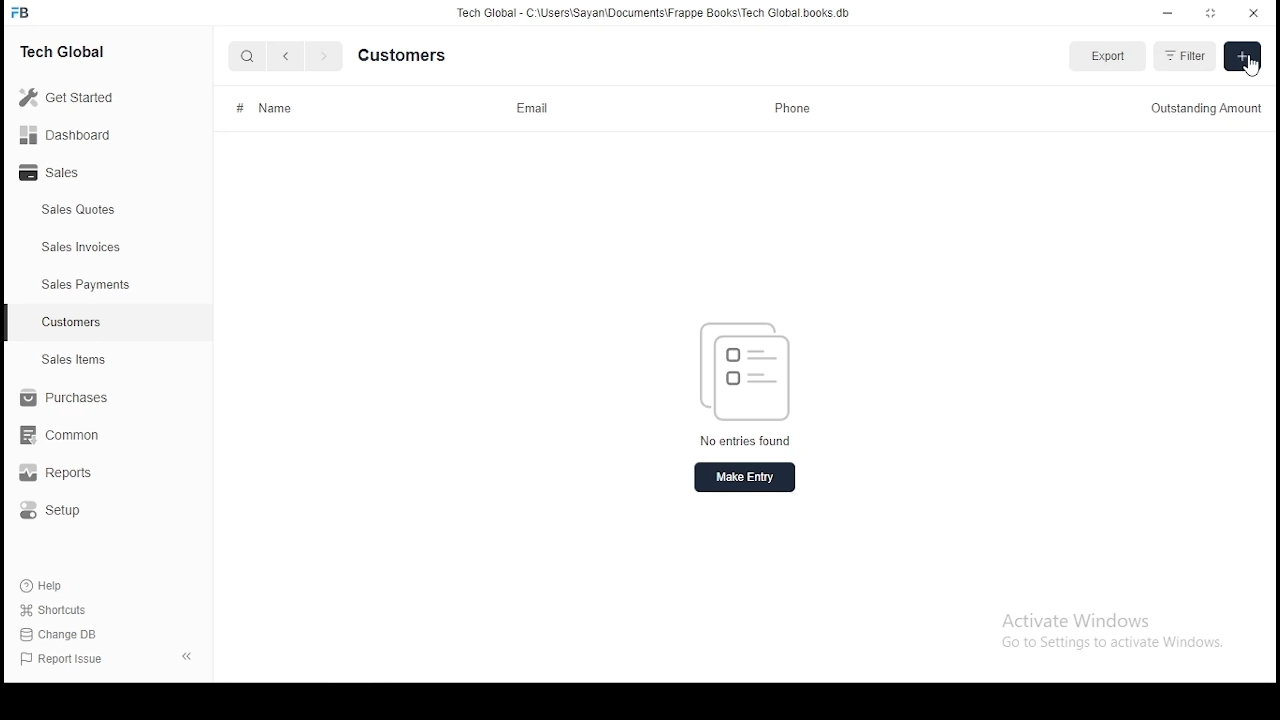  Describe the element at coordinates (67, 50) in the screenshot. I see `tech global` at that location.